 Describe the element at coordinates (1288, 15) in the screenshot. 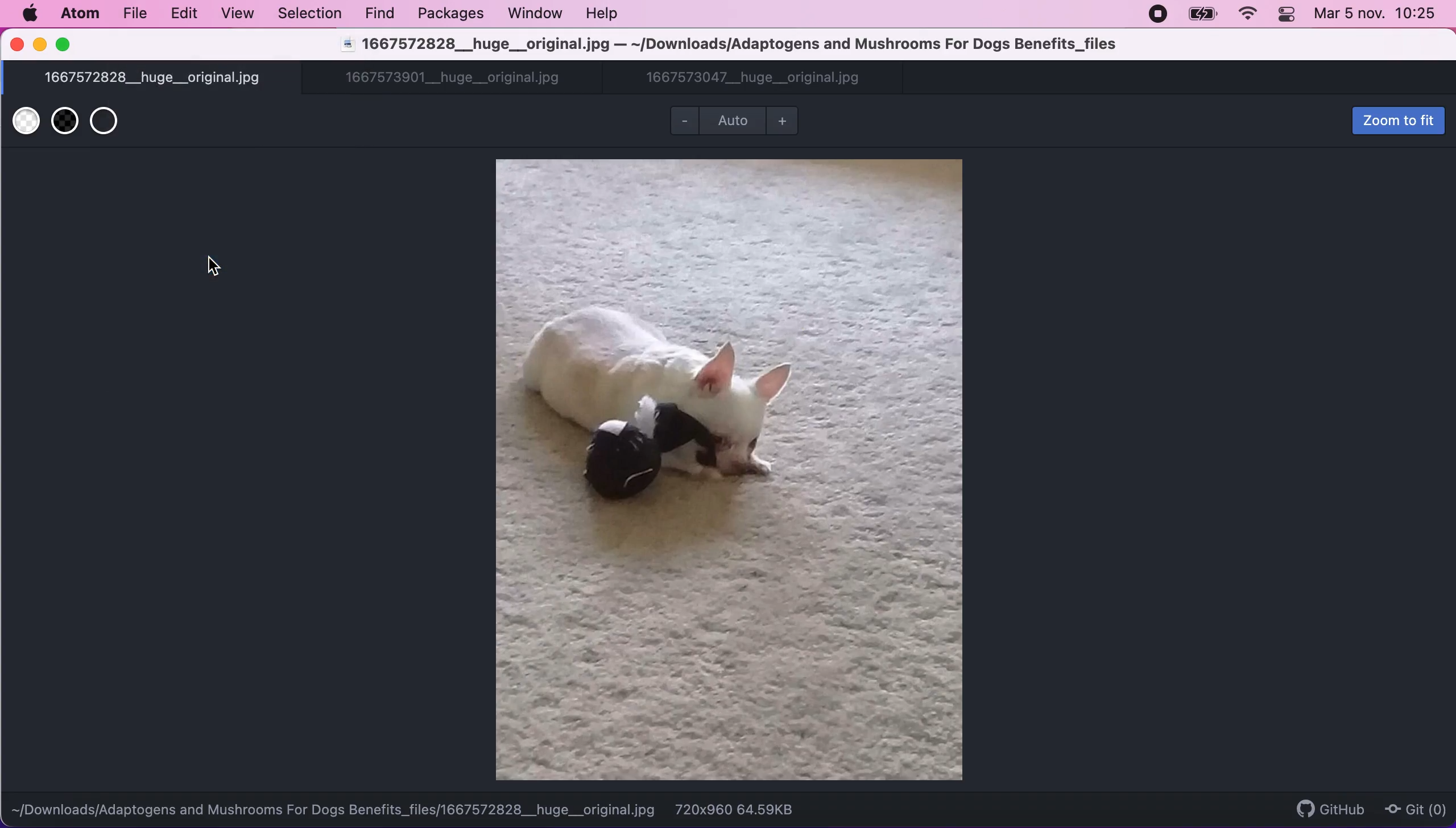

I see `panel control` at that location.